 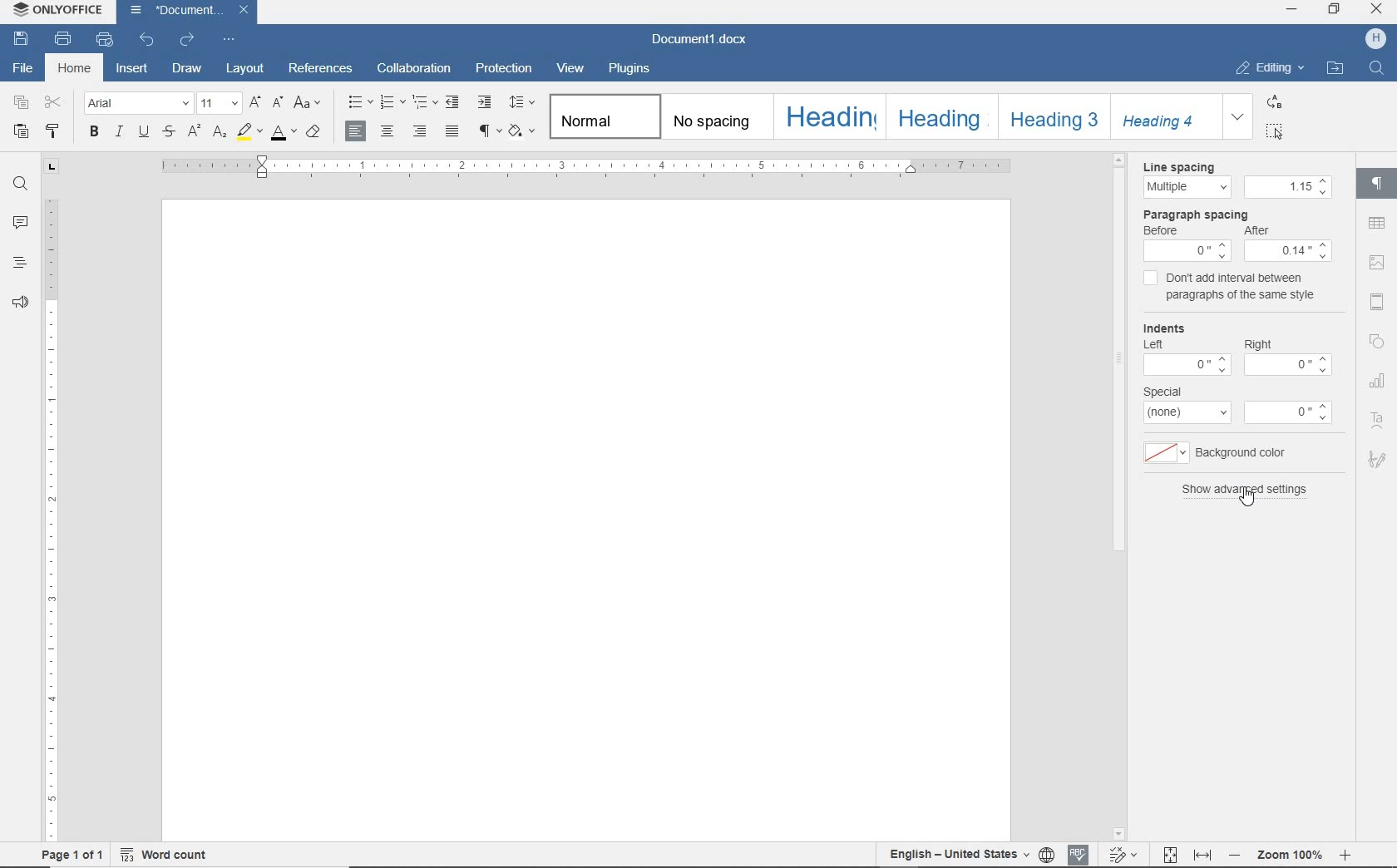 I want to click on cut, so click(x=54, y=104).